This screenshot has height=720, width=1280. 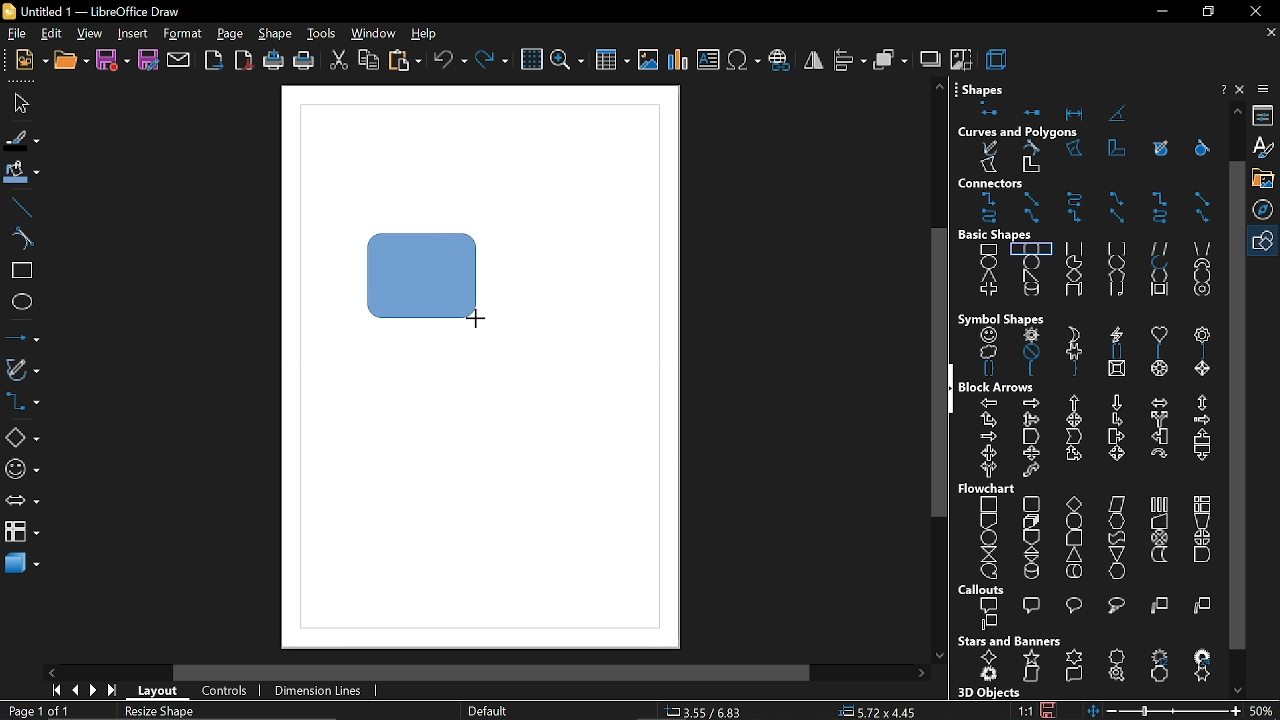 What do you see at coordinates (1019, 133) in the screenshot?
I see `curves and polygons` at bounding box center [1019, 133].